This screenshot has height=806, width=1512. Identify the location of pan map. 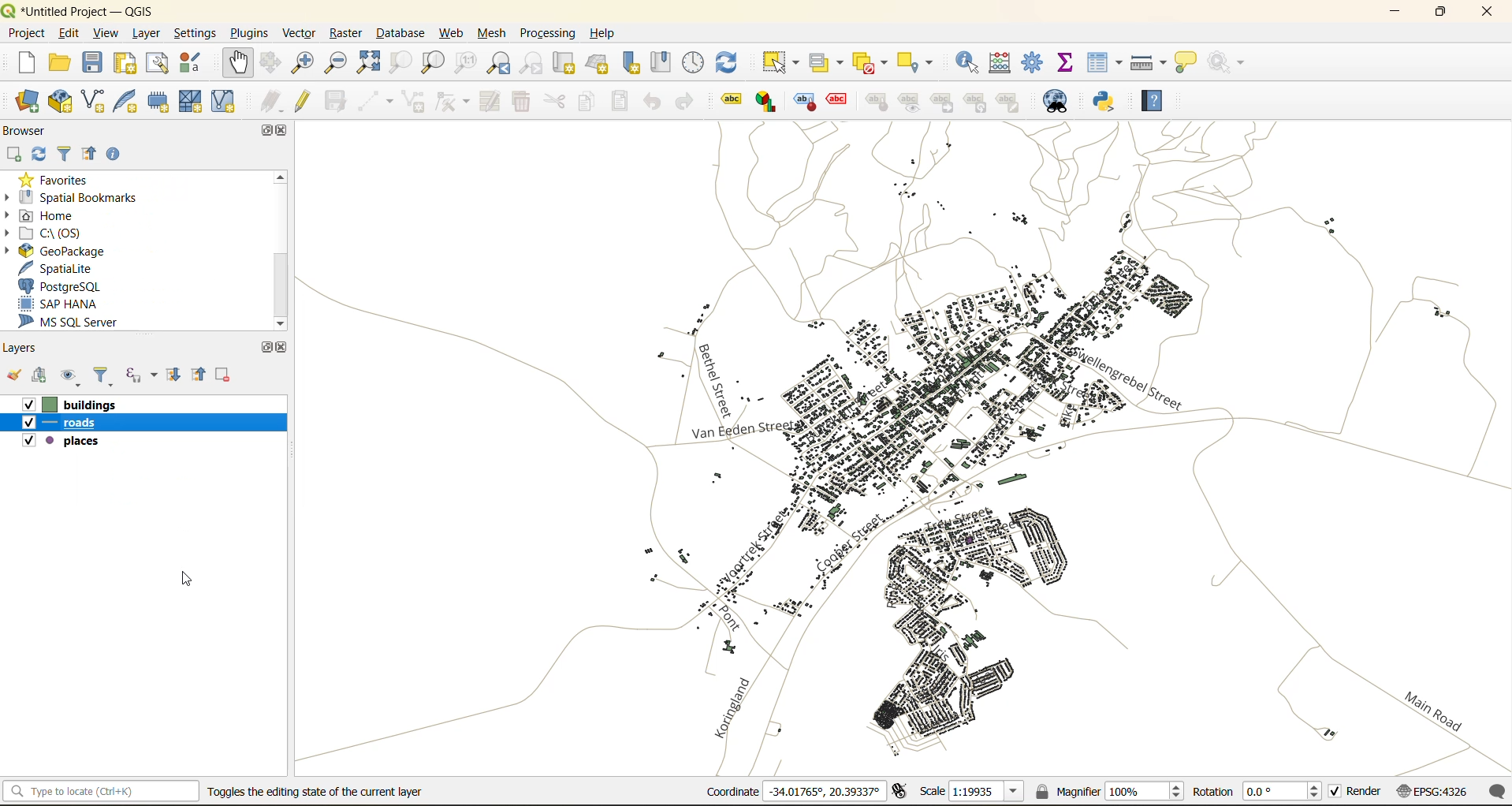
(236, 60).